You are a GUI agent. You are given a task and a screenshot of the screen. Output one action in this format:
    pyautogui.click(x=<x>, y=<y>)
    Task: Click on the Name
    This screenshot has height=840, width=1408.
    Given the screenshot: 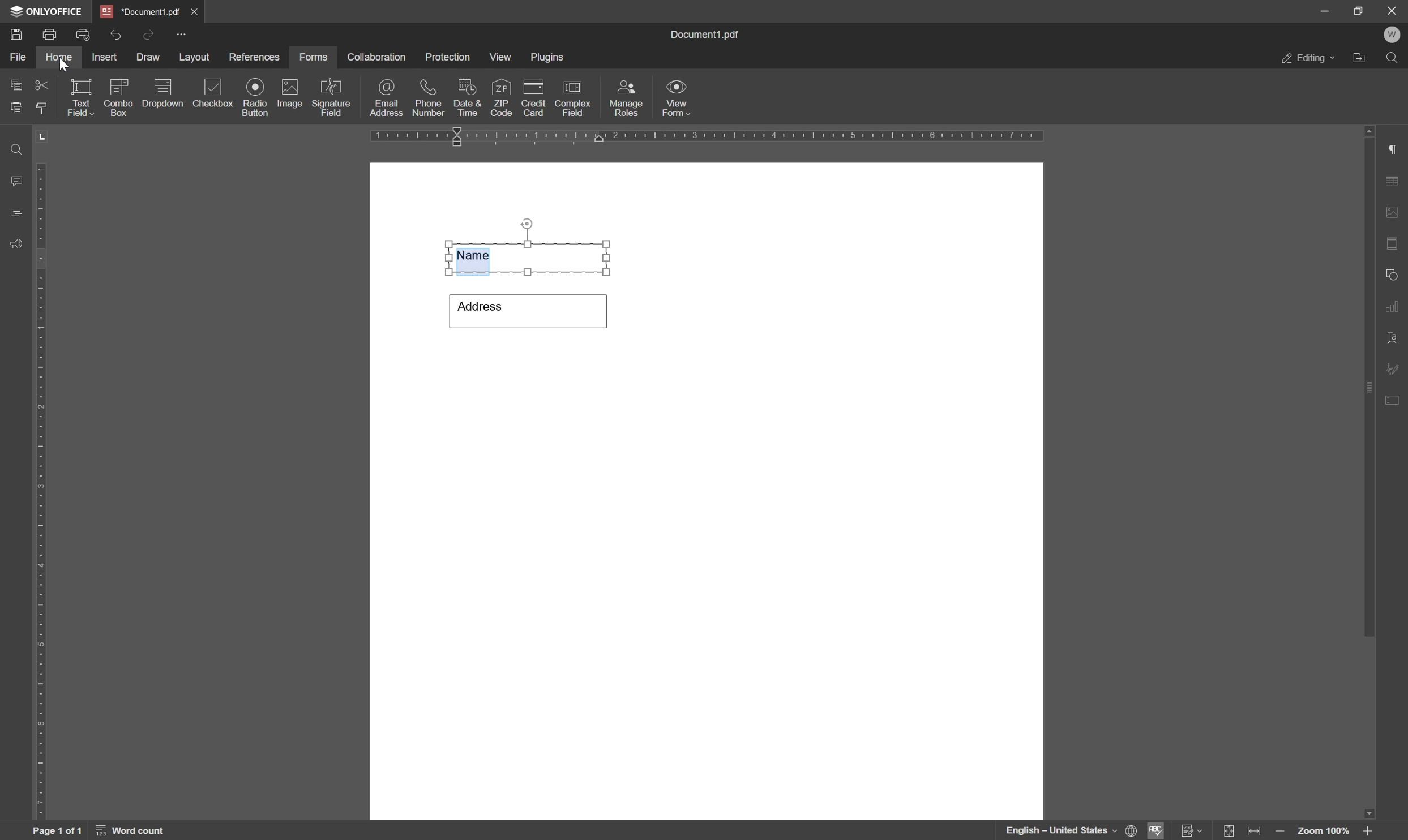 What is the action you would take?
    pyautogui.click(x=530, y=256)
    